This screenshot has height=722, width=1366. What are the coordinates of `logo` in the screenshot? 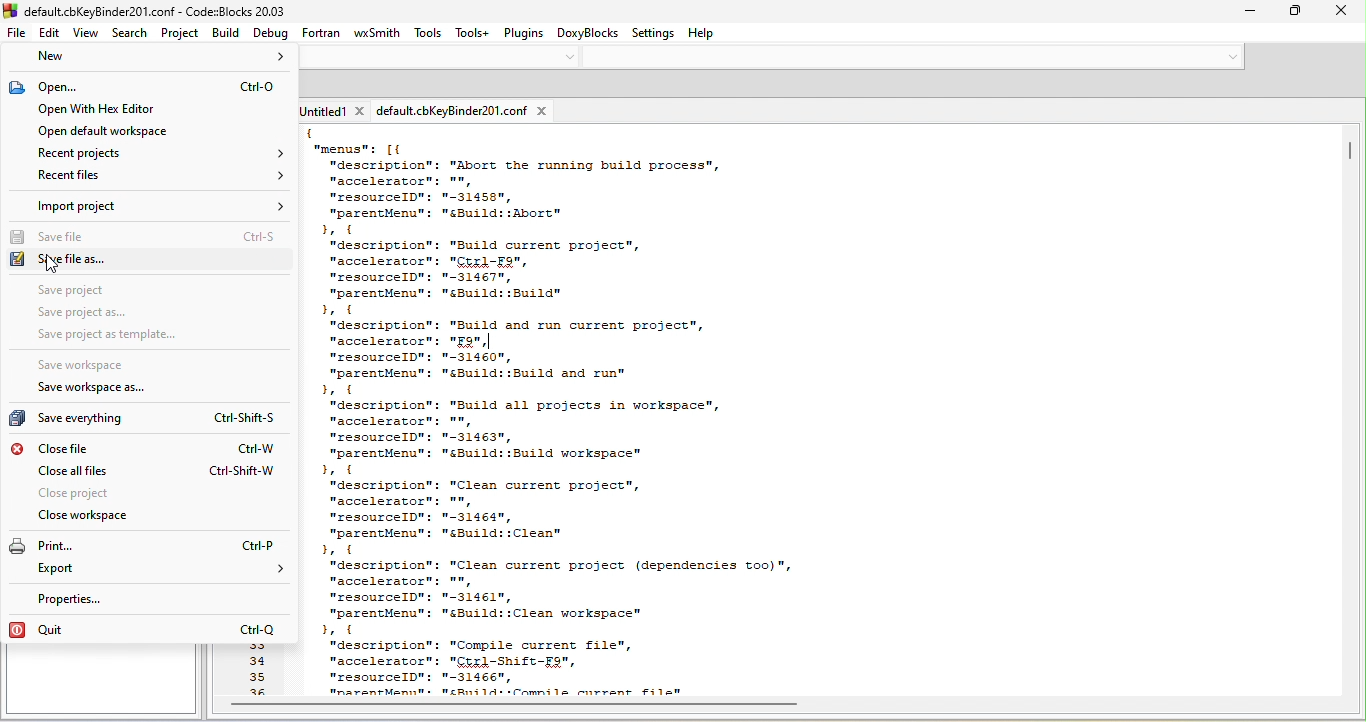 It's located at (10, 11).